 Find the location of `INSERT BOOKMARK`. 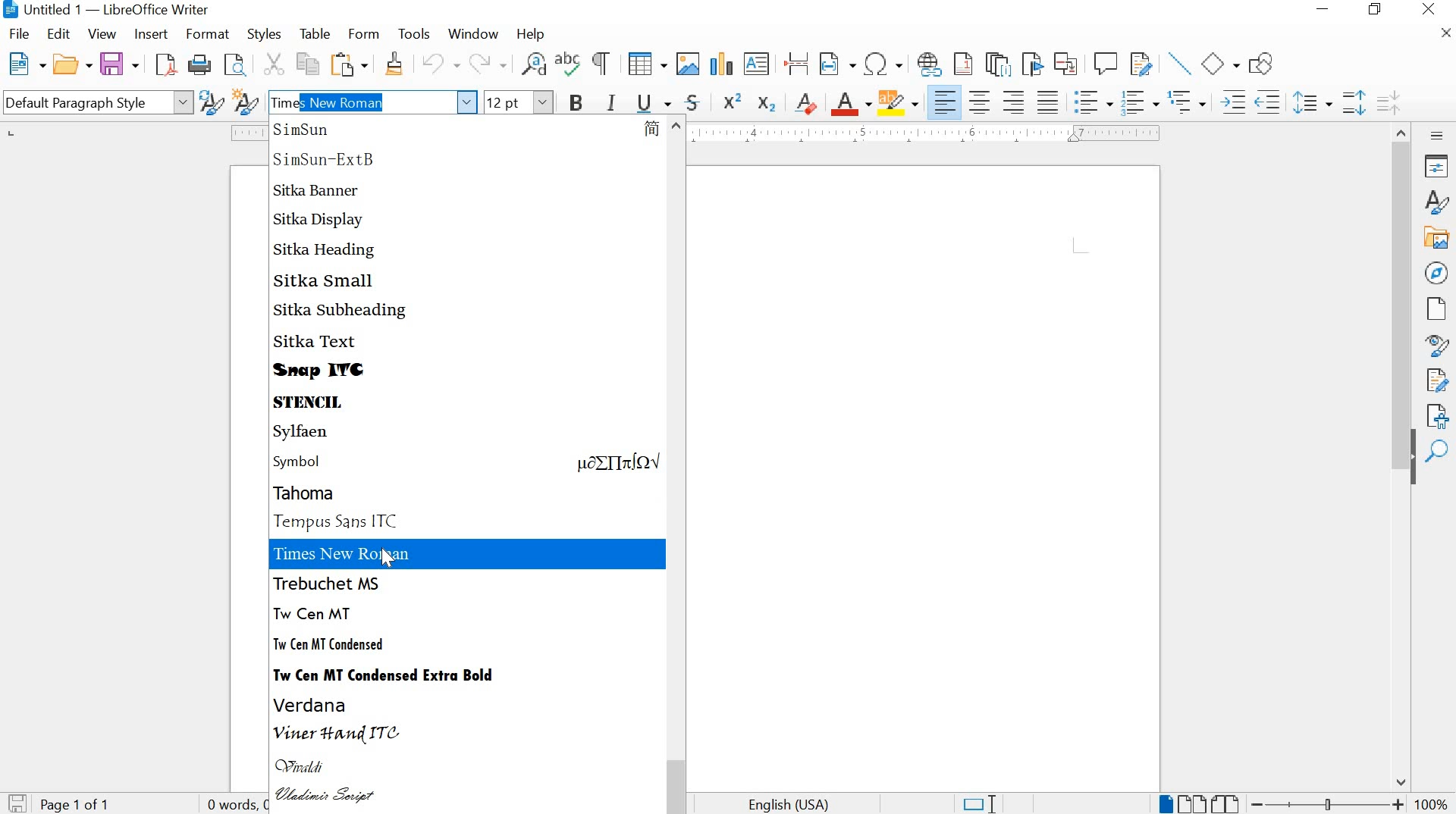

INSERT BOOKMARK is located at coordinates (1033, 65).